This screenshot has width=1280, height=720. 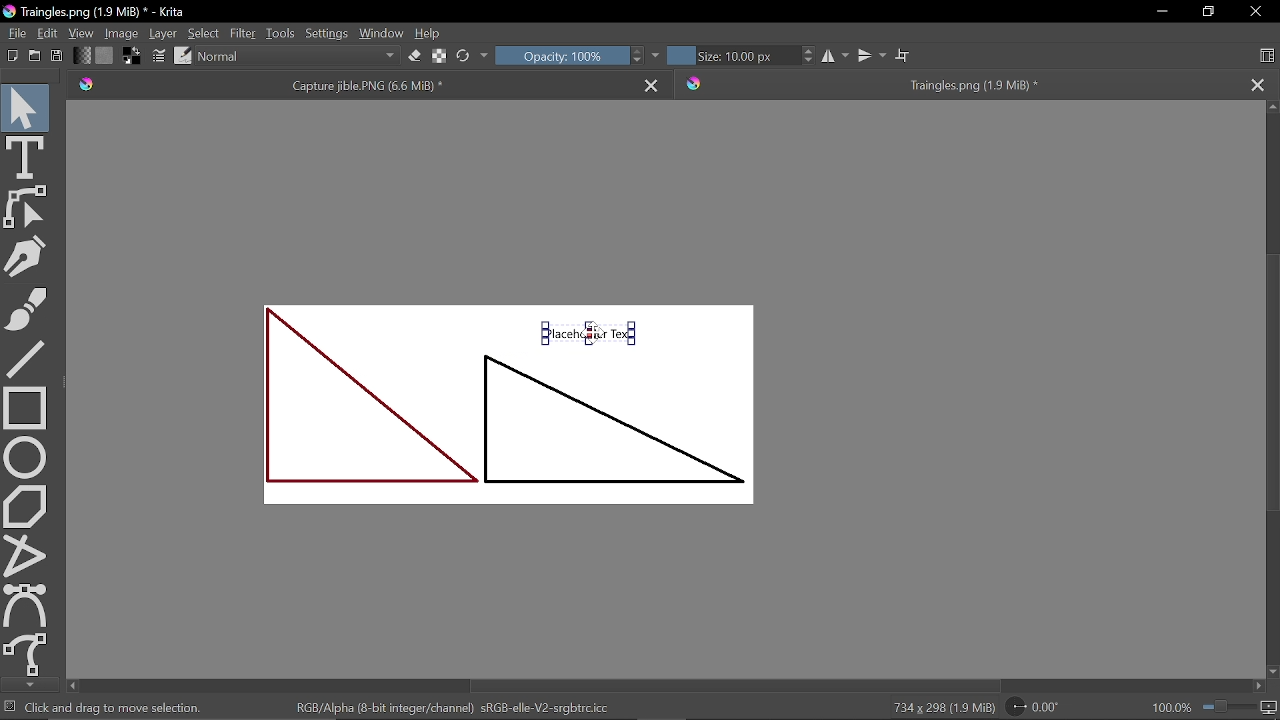 What do you see at coordinates (1272, 389) in the screenshot?
I see `Vertical scrollbar` at bounding box center [1272, 389].